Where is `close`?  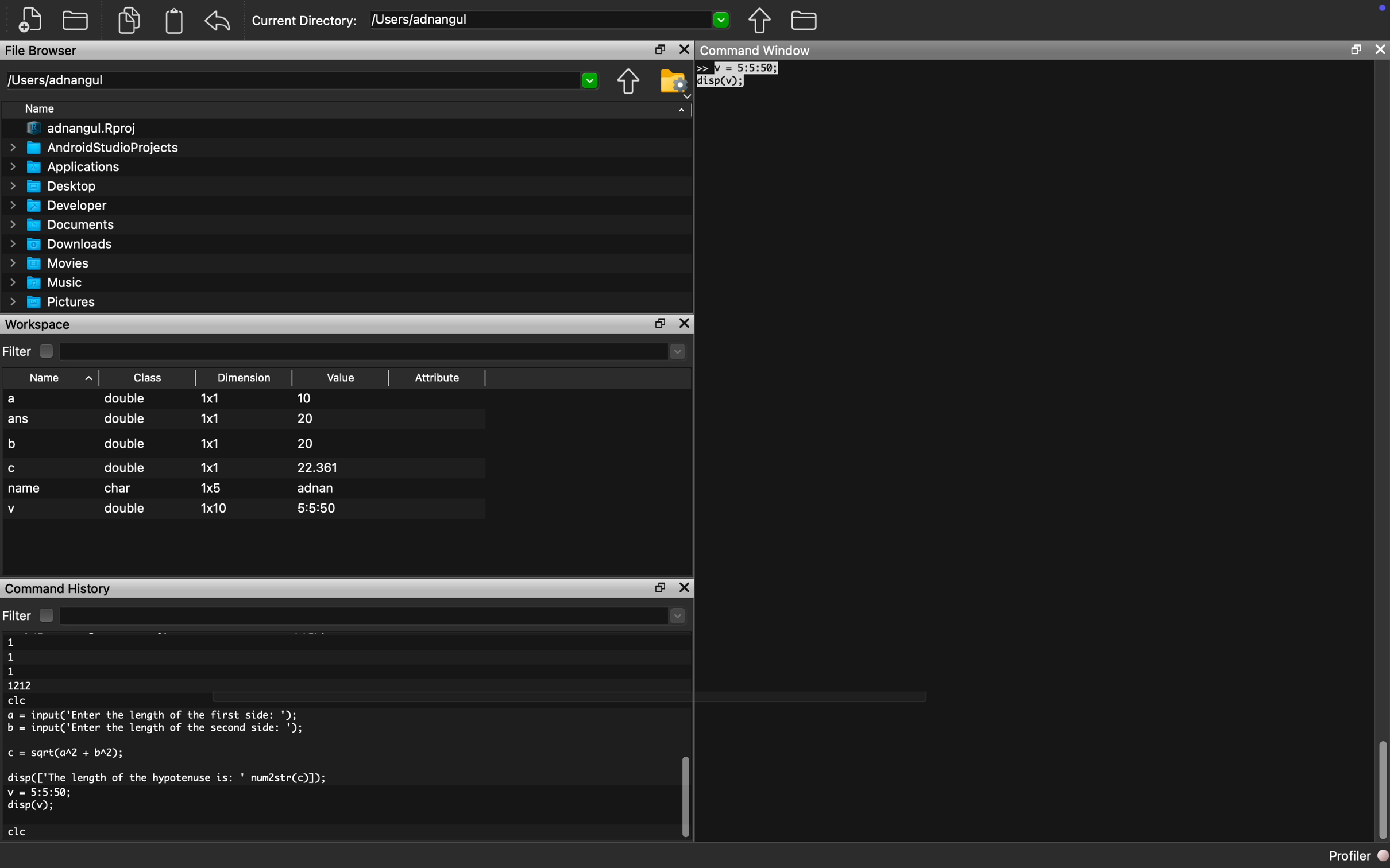 close is located at coordinates (685, 324).